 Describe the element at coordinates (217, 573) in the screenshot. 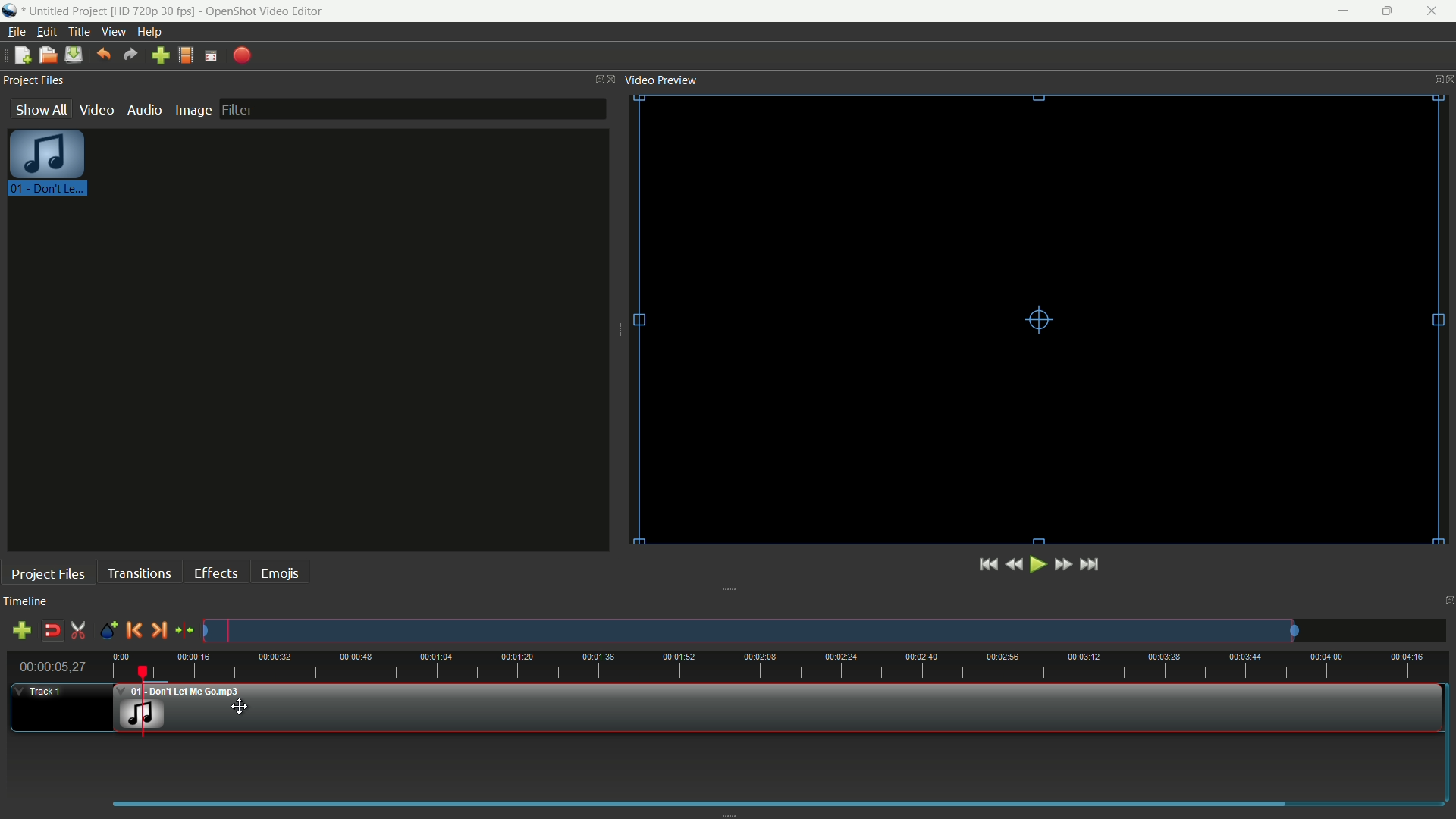

I see `effects` at that location.